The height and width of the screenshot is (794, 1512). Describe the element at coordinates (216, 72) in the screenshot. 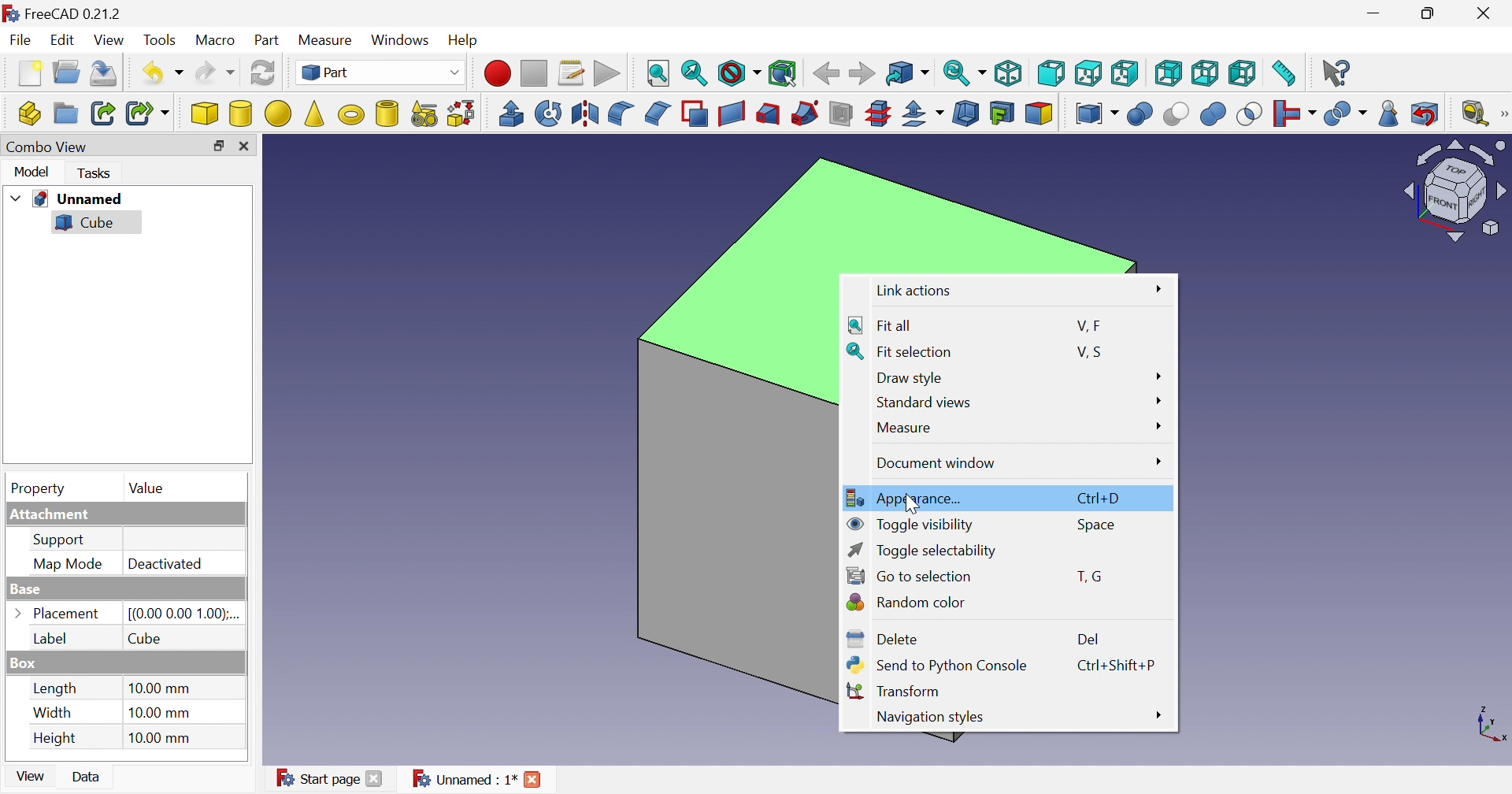

I see `Redo` at that location.